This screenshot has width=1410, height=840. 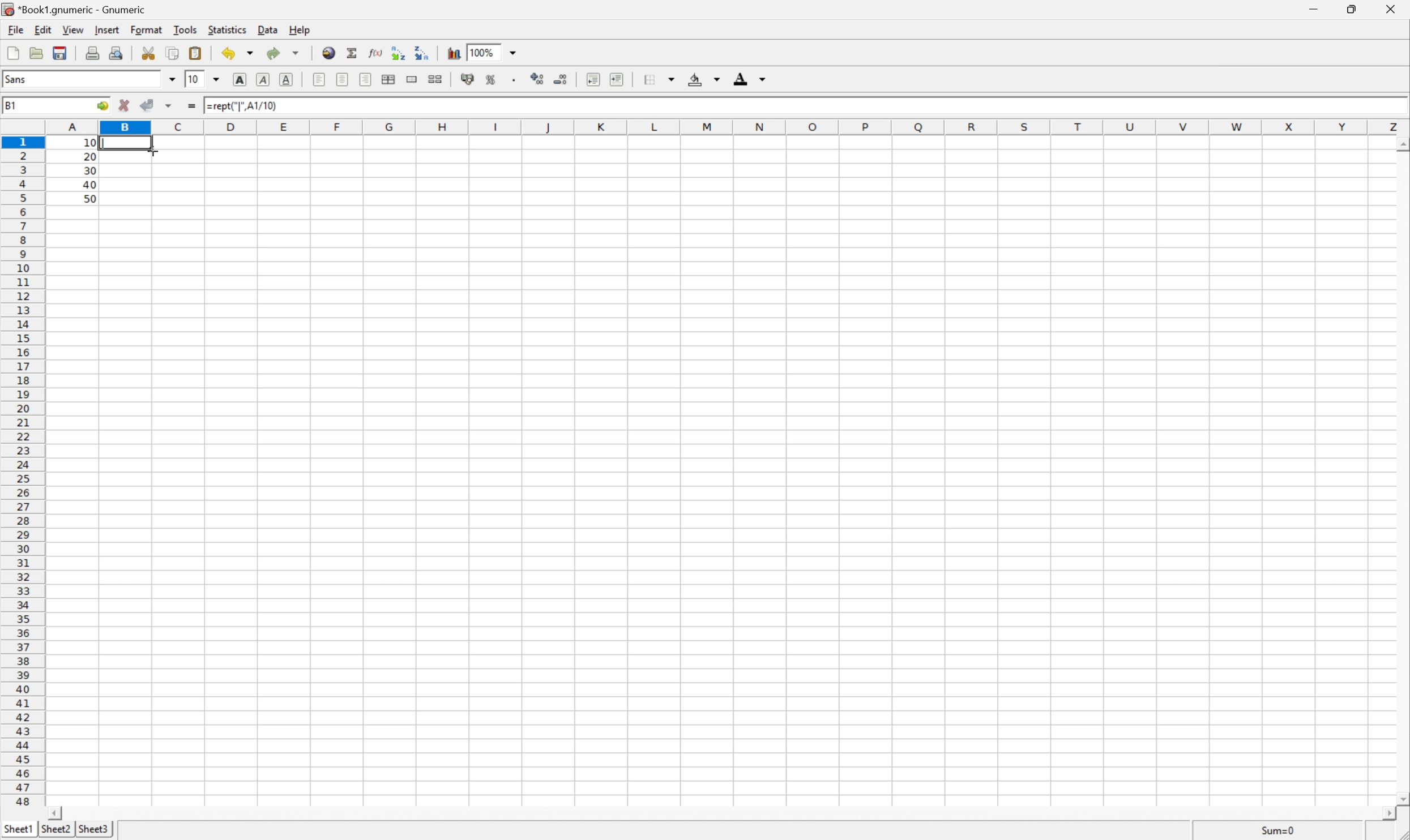 What do you see at coordinates (298, 29) in the screenshot?
I see `Help` at bounding box center [298, 29].